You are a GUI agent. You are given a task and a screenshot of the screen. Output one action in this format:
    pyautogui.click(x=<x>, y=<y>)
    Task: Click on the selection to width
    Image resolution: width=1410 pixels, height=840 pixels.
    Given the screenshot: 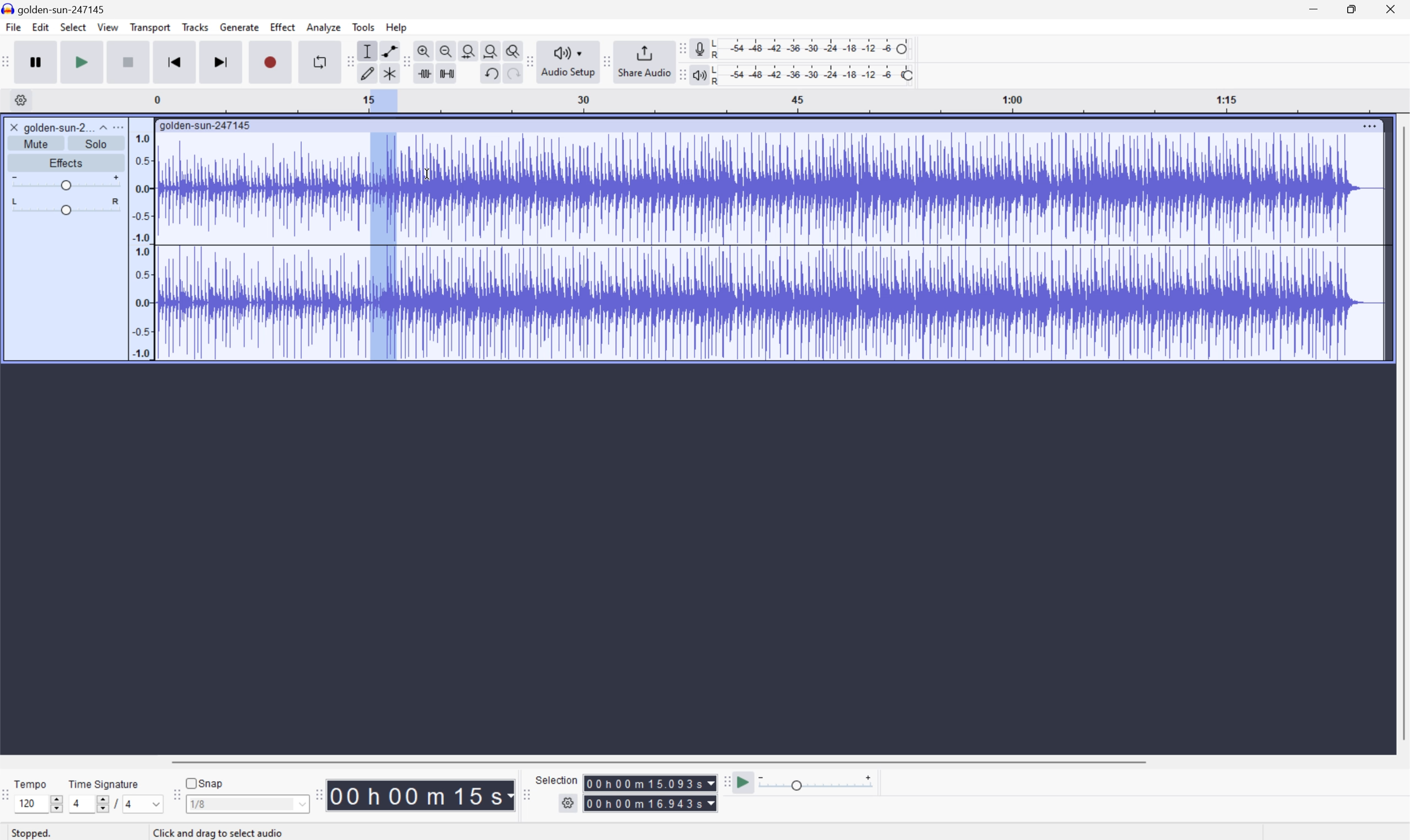 What is the action you would take?
    pyautogui.click(x=470, y=49)
    